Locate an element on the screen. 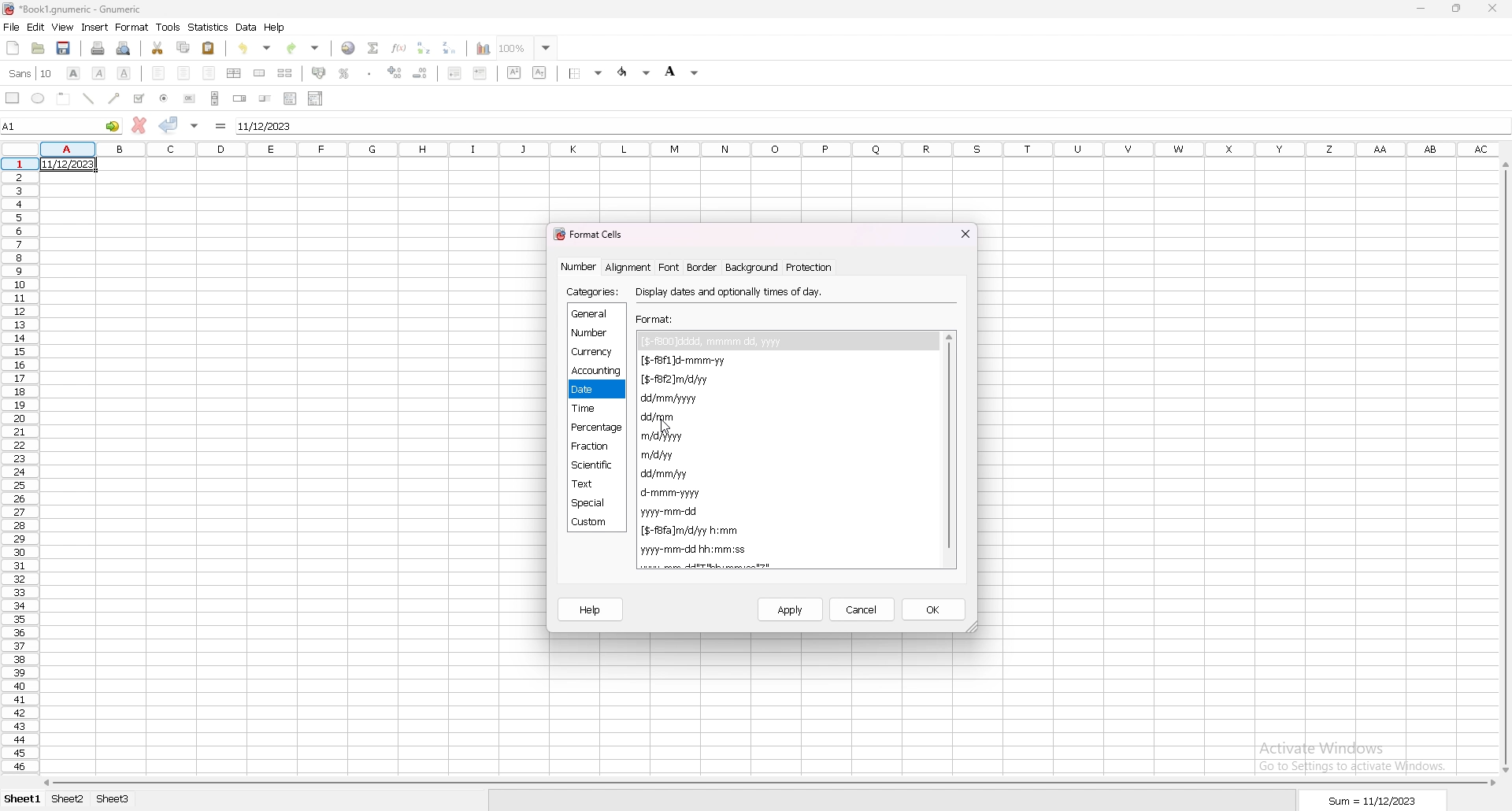 Image resolution: width=1512 pixels, height=811 pixels. left align is located at coordinates (158, 72).